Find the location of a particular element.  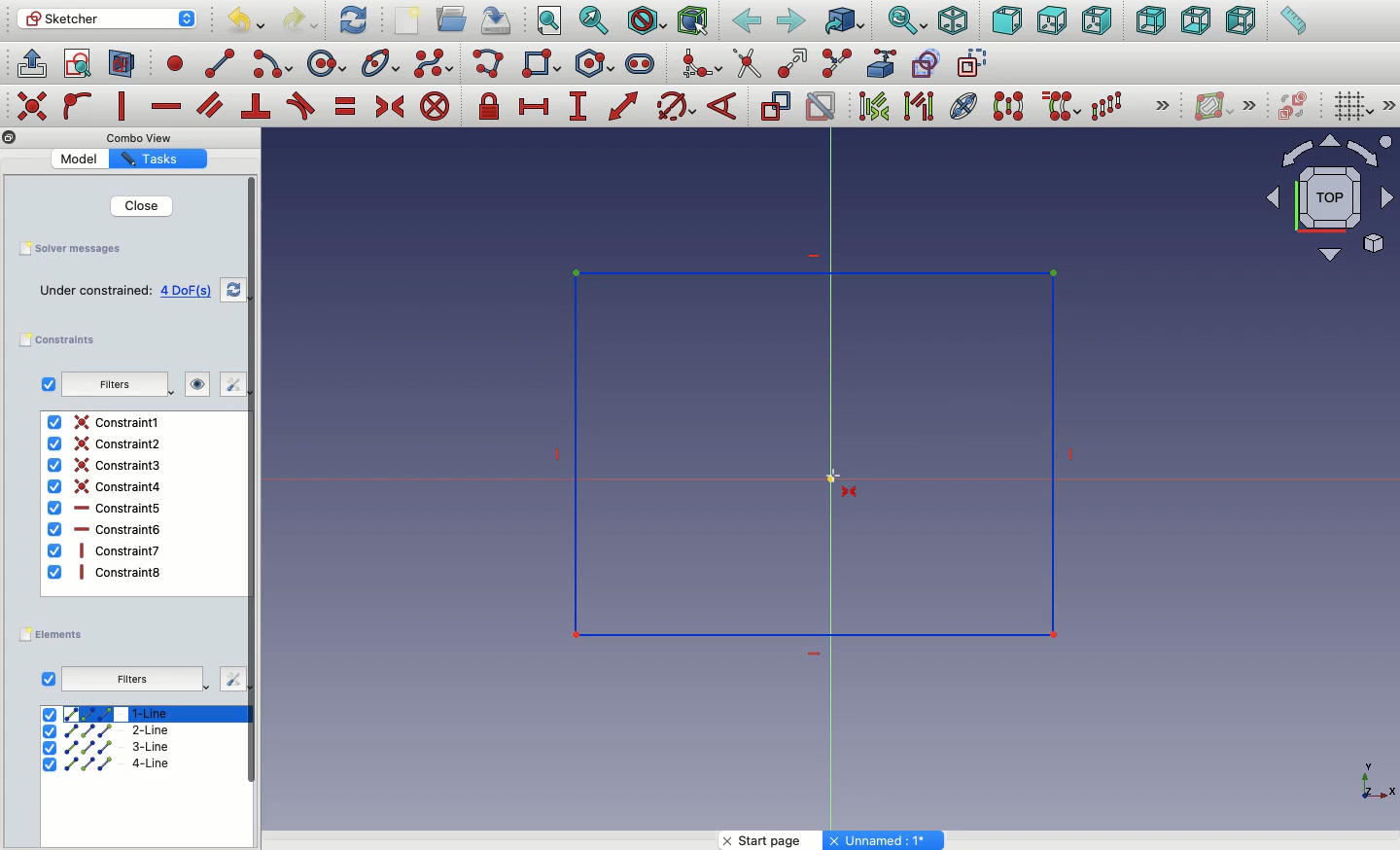

Under constrained: is located at coordinates (95, 292).